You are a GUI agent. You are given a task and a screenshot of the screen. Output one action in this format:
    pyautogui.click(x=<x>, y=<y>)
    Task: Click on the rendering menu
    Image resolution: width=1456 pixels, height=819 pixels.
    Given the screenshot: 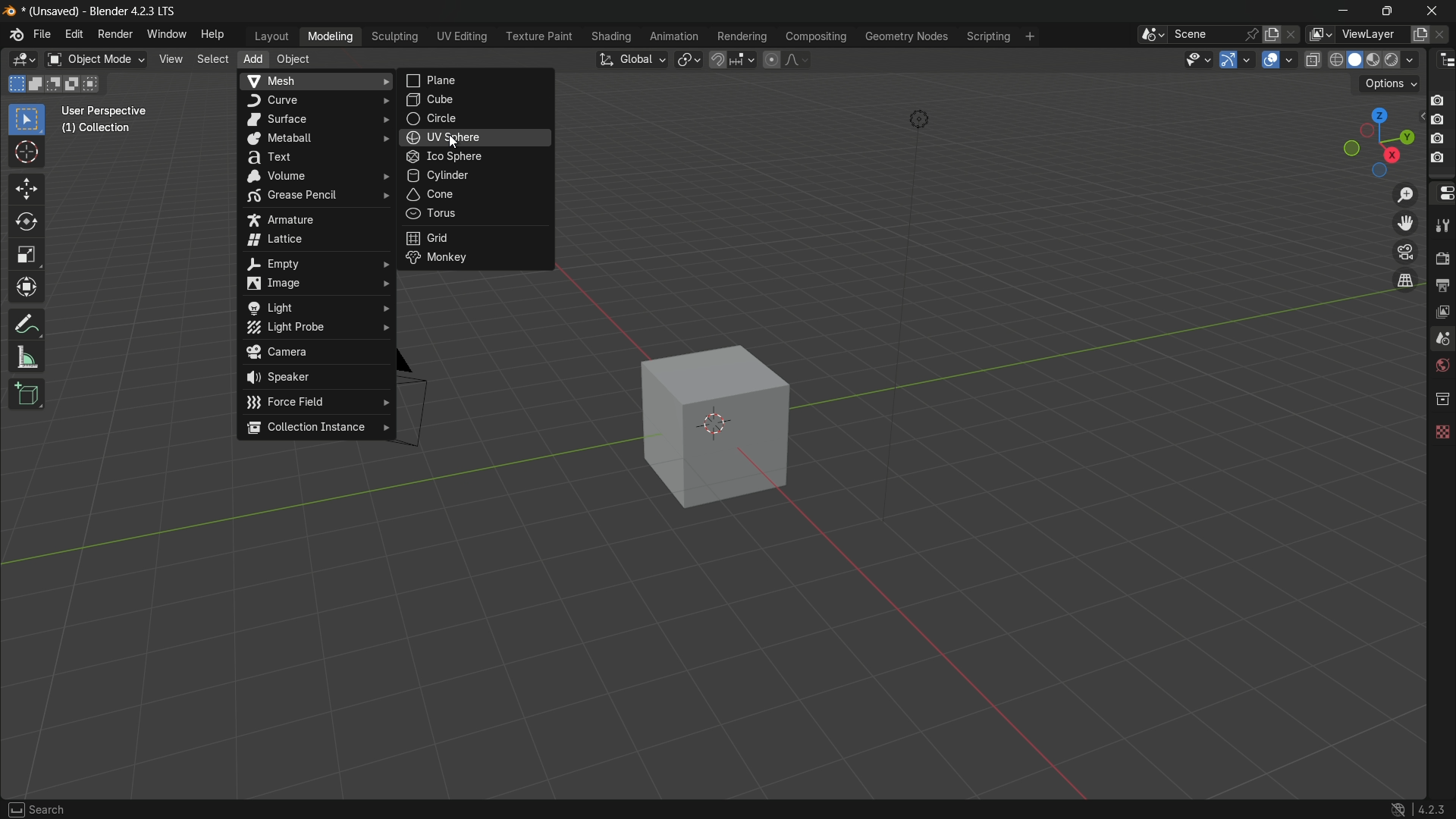 What is the action you would take?
    pyautogui.click(x=742, y=36)
    